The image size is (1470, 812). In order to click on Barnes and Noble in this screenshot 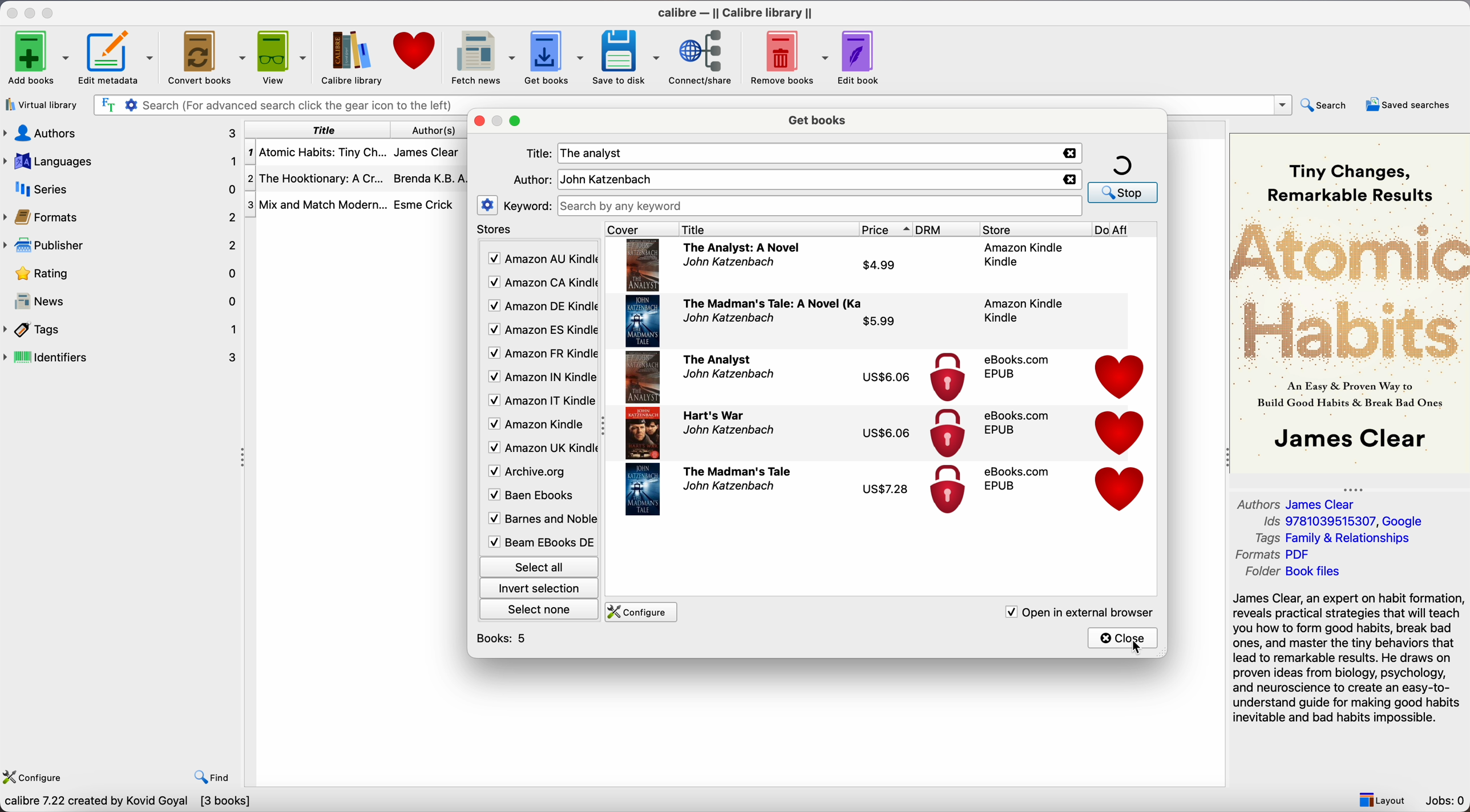, I will do `click(538, 521)`.